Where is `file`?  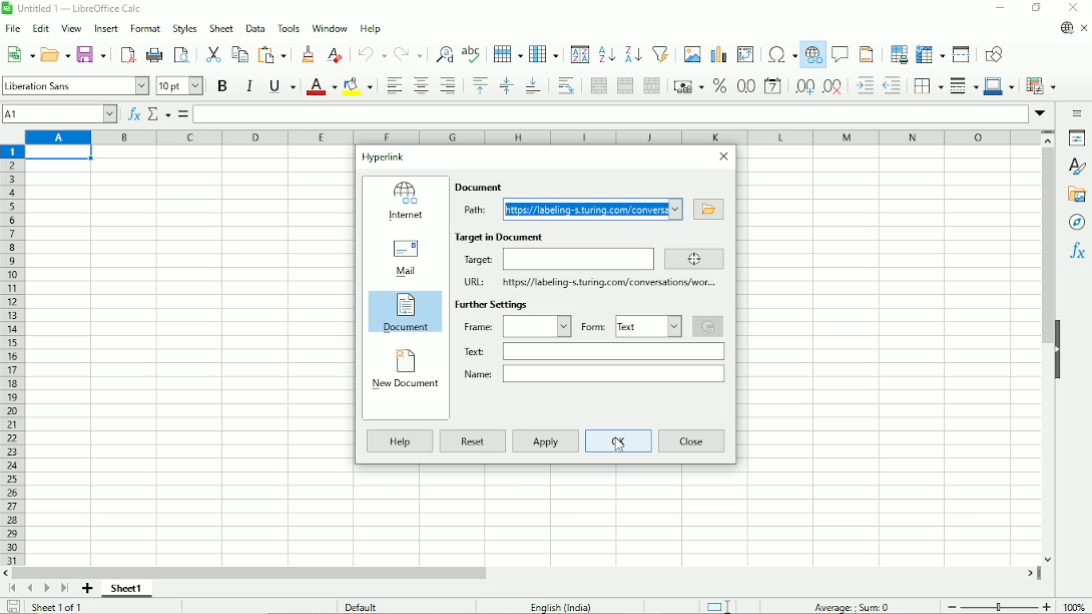
file is located at coordinates (13, 28).